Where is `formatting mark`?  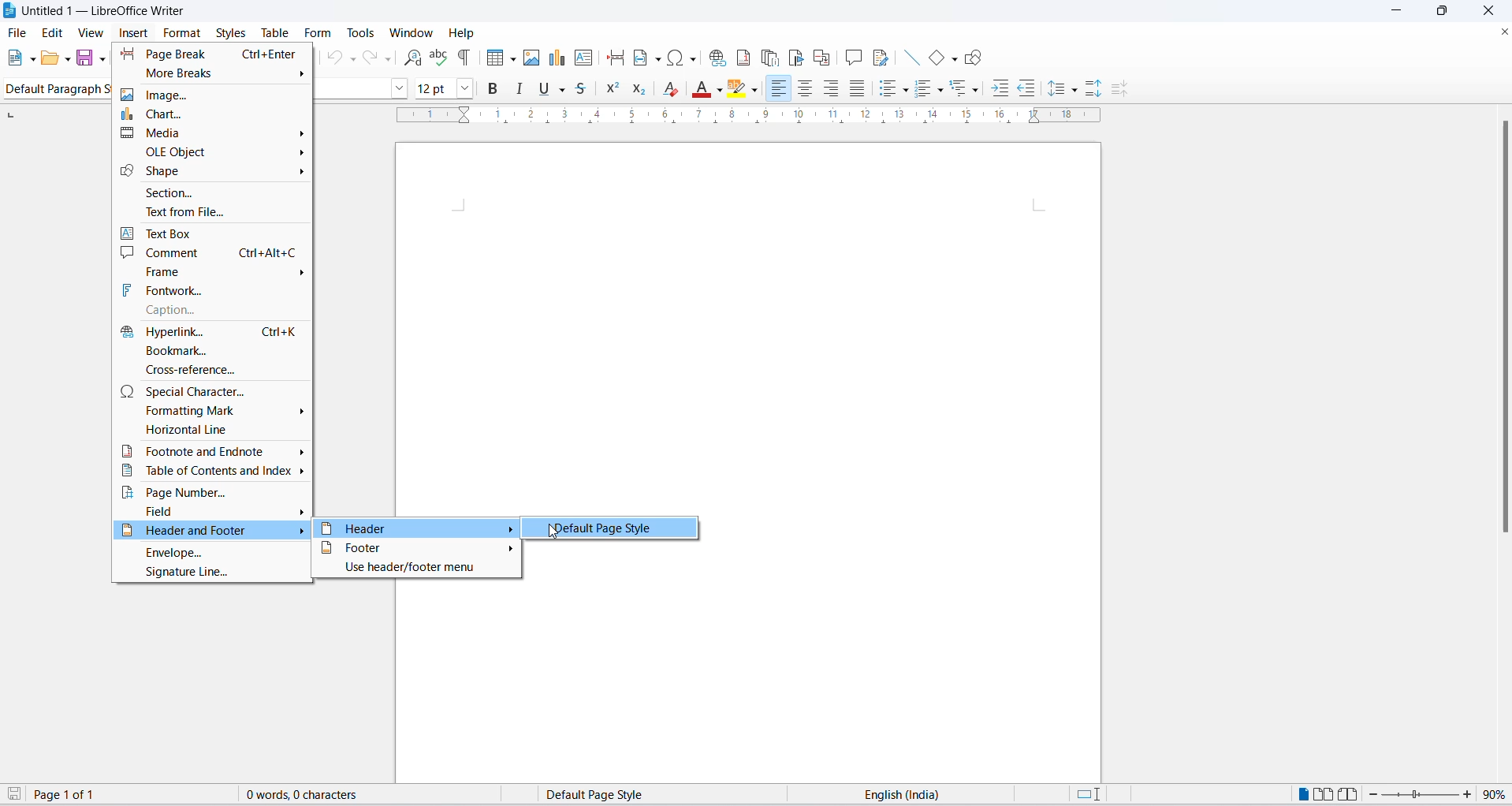 formatting mark is located at coordinates (212, 410).